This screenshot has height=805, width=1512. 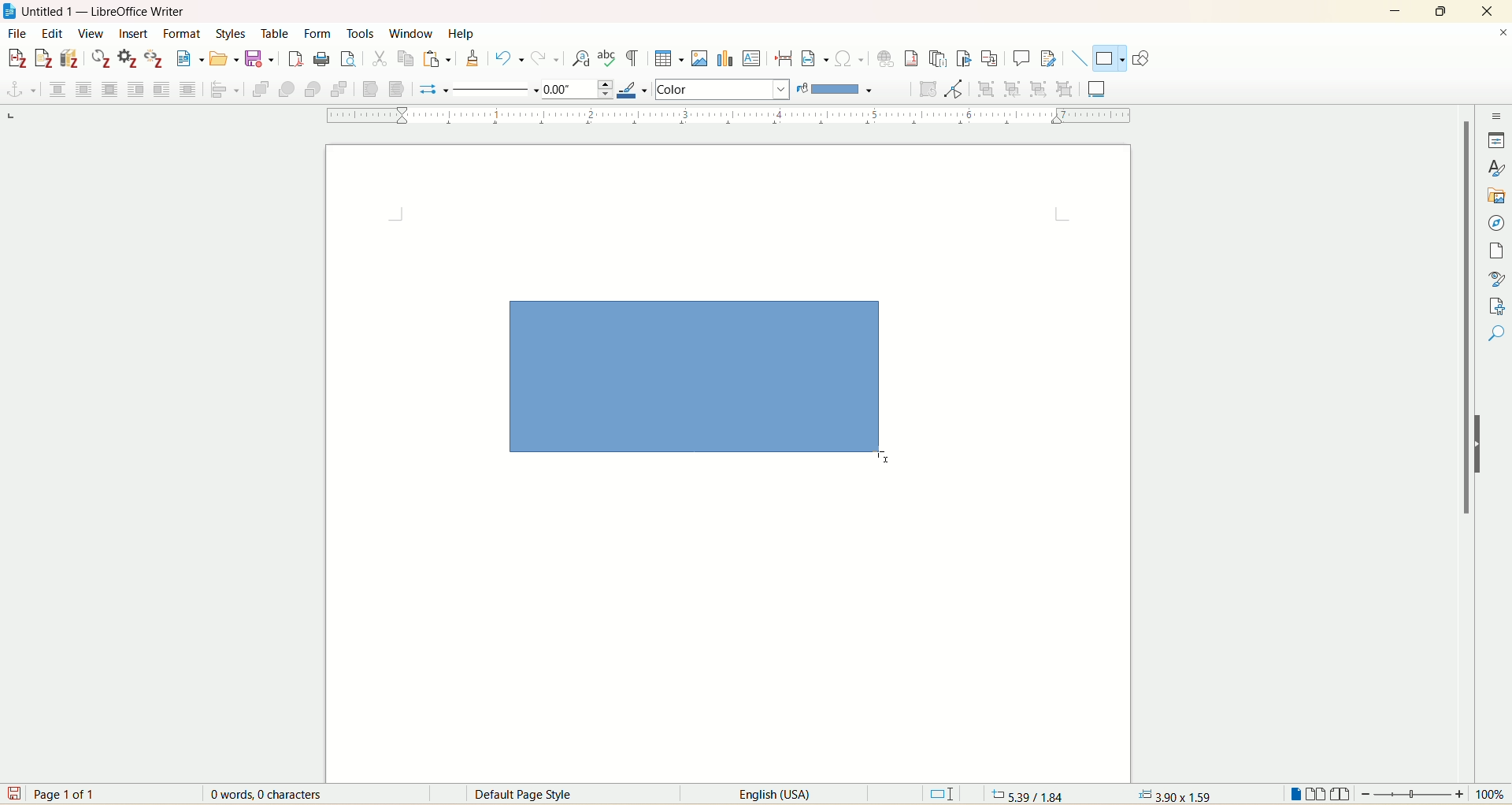 What do you see at coordinates (373, 88) in the screenshot?
I see `to foreground` at bounding box center [373, 88].